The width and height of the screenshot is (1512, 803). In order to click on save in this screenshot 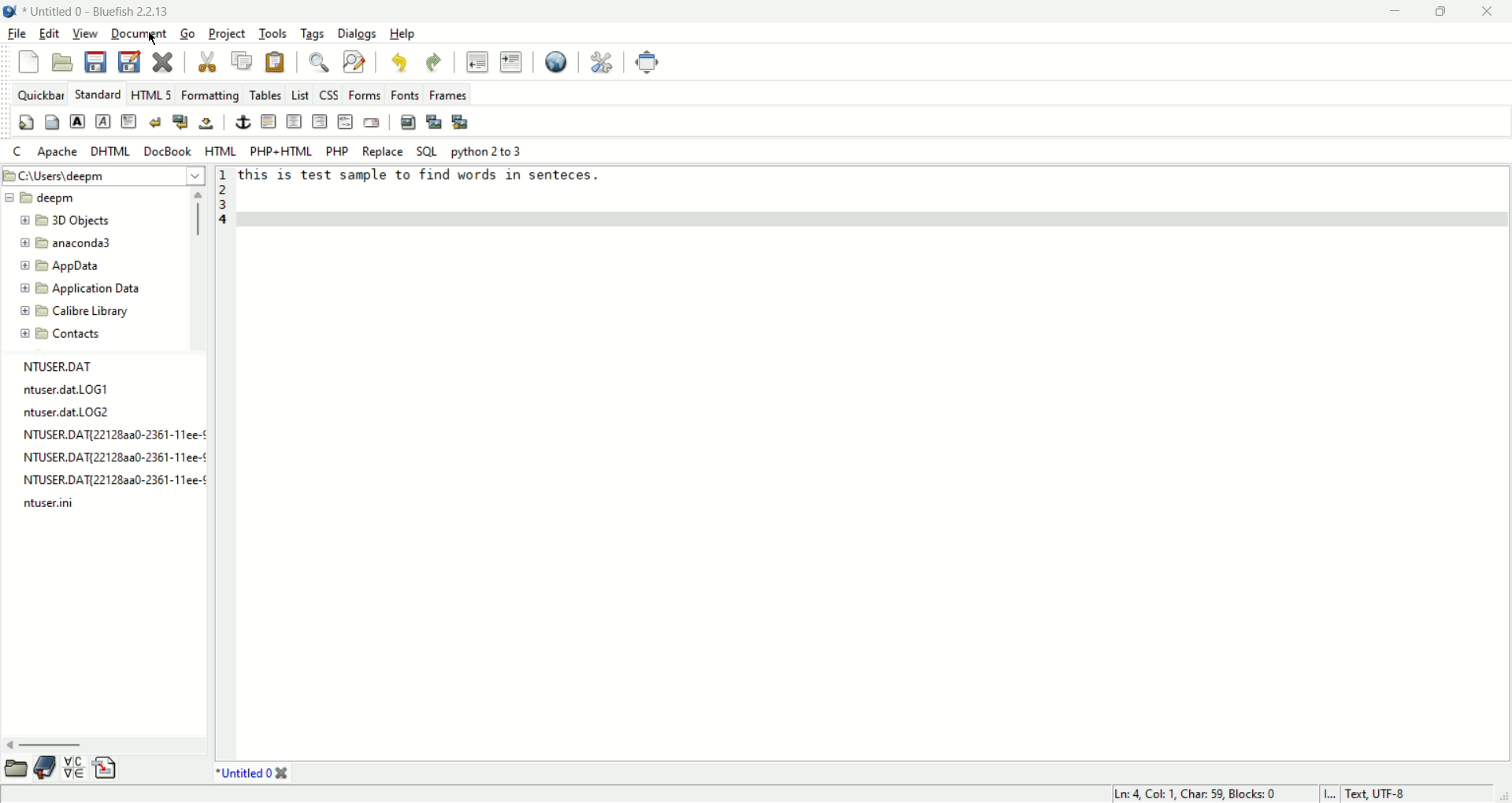, I will do `click(94, 62)`.